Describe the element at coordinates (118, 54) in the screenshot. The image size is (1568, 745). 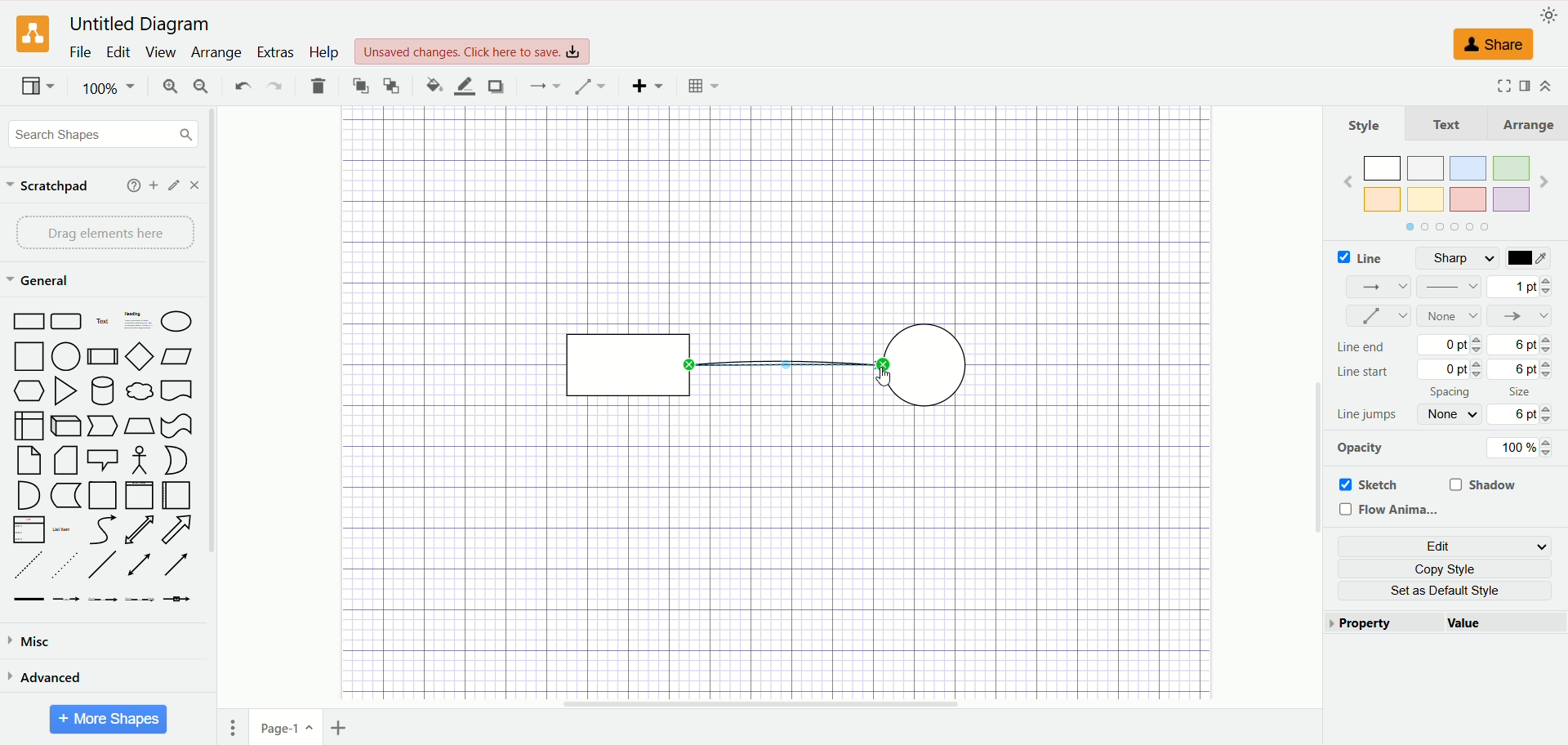
I see `edit` at that location.